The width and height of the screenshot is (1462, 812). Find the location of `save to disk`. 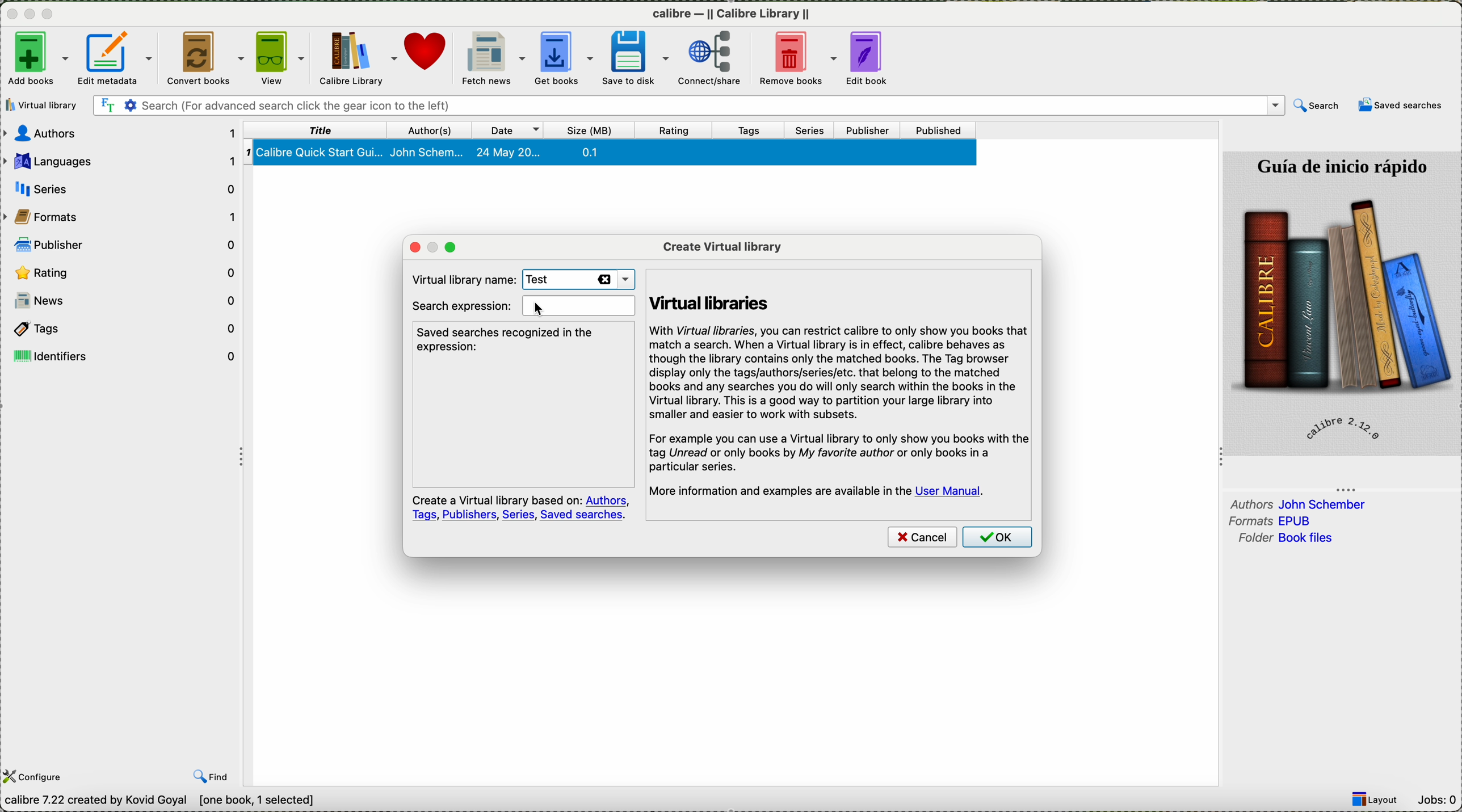

save to disk is located at coordinates (638, 57).